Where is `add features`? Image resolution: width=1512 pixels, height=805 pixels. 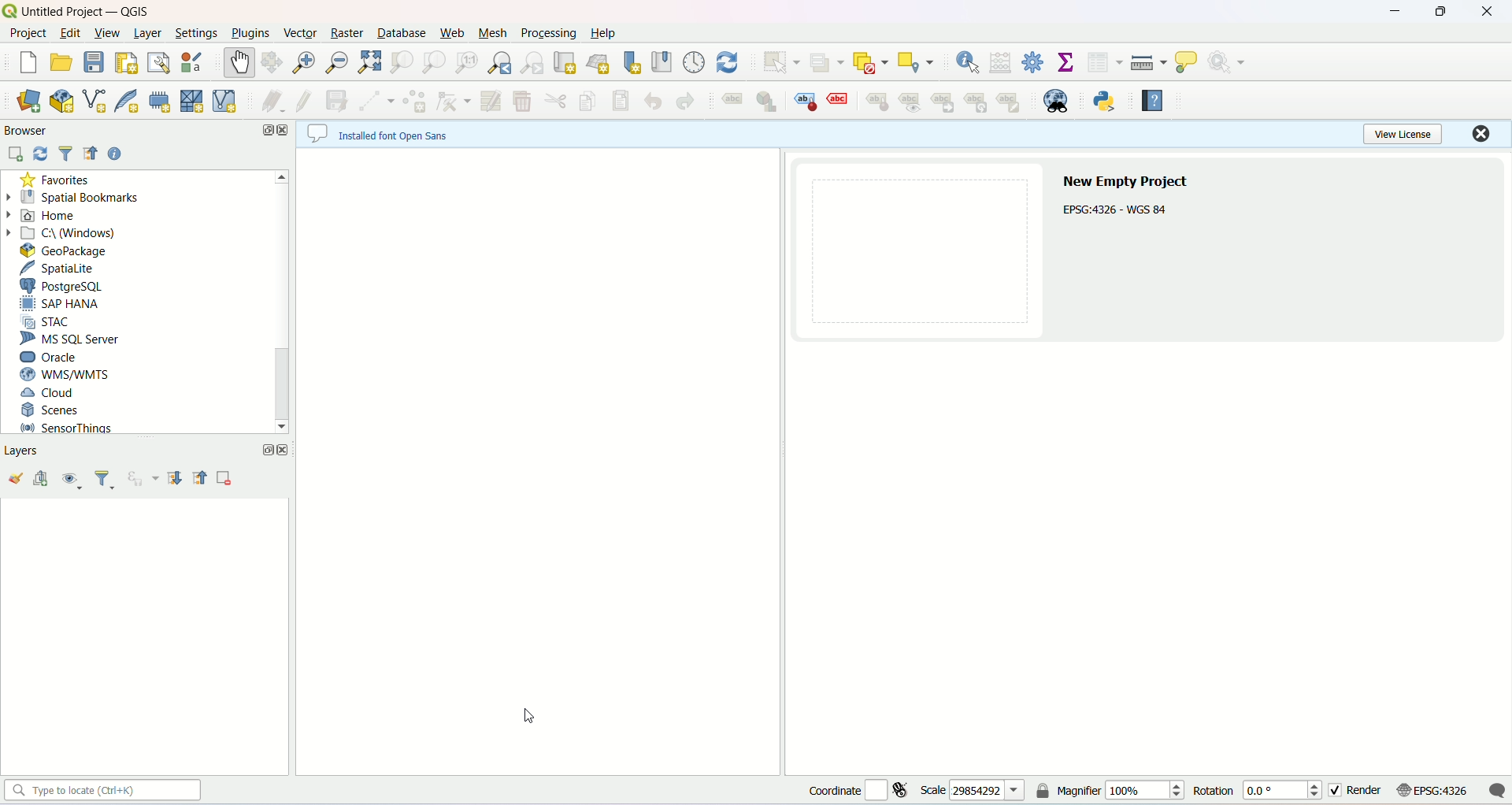
add features is located at coordinates (409, 103).